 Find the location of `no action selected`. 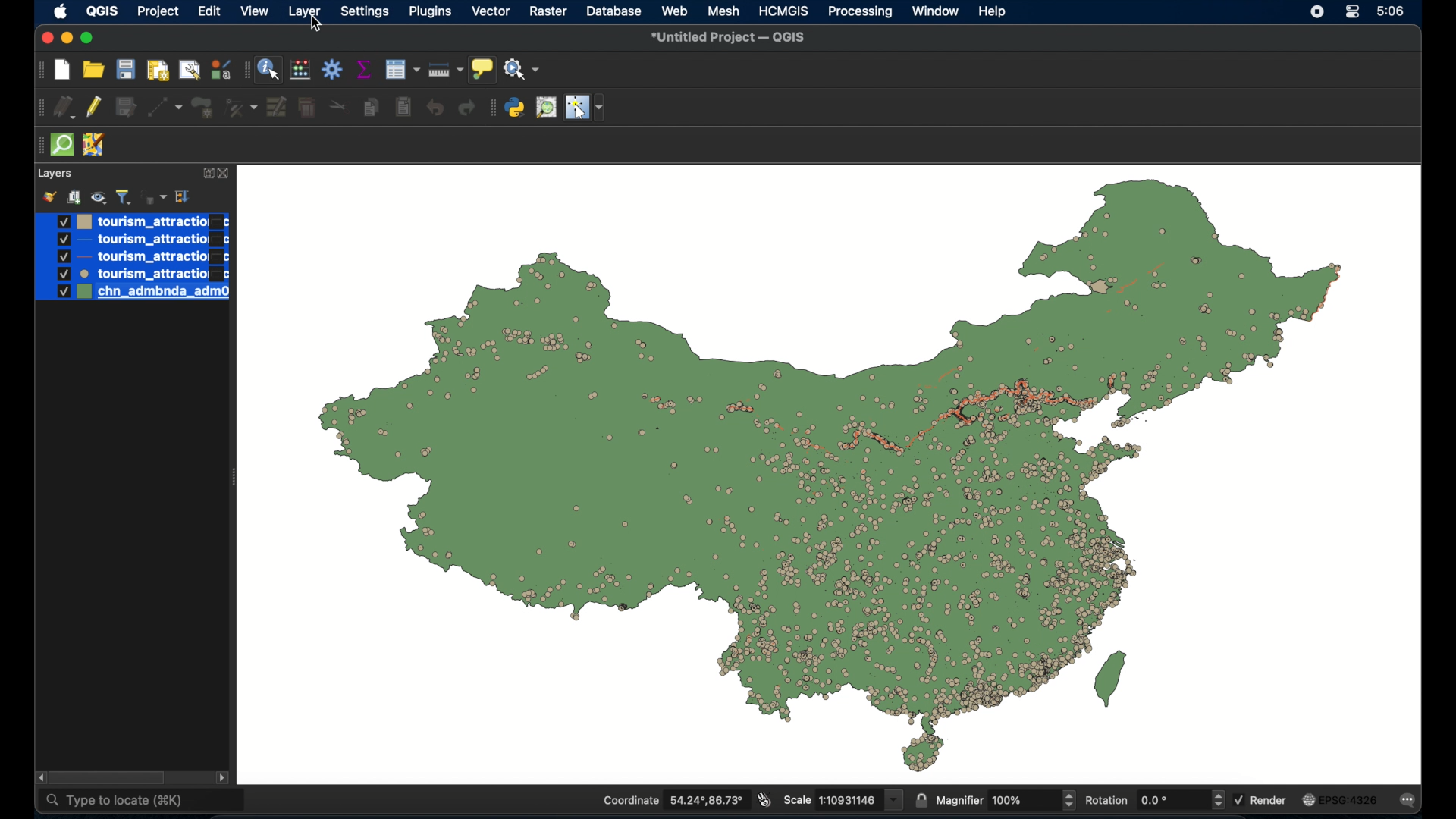

no action selected is located at coordinates (522, 67).